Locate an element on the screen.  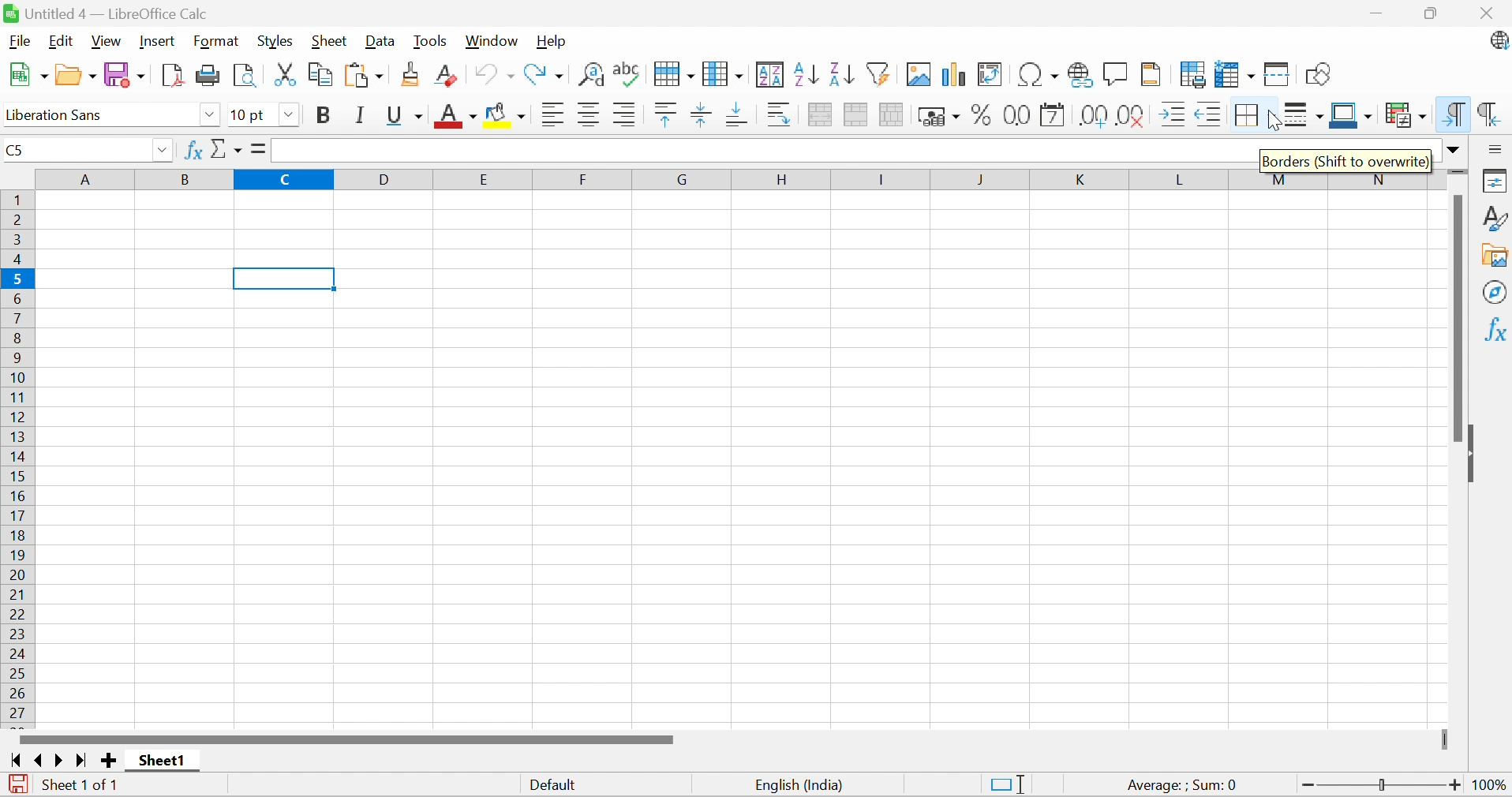
Drop down is located at coordinates (290, 115).